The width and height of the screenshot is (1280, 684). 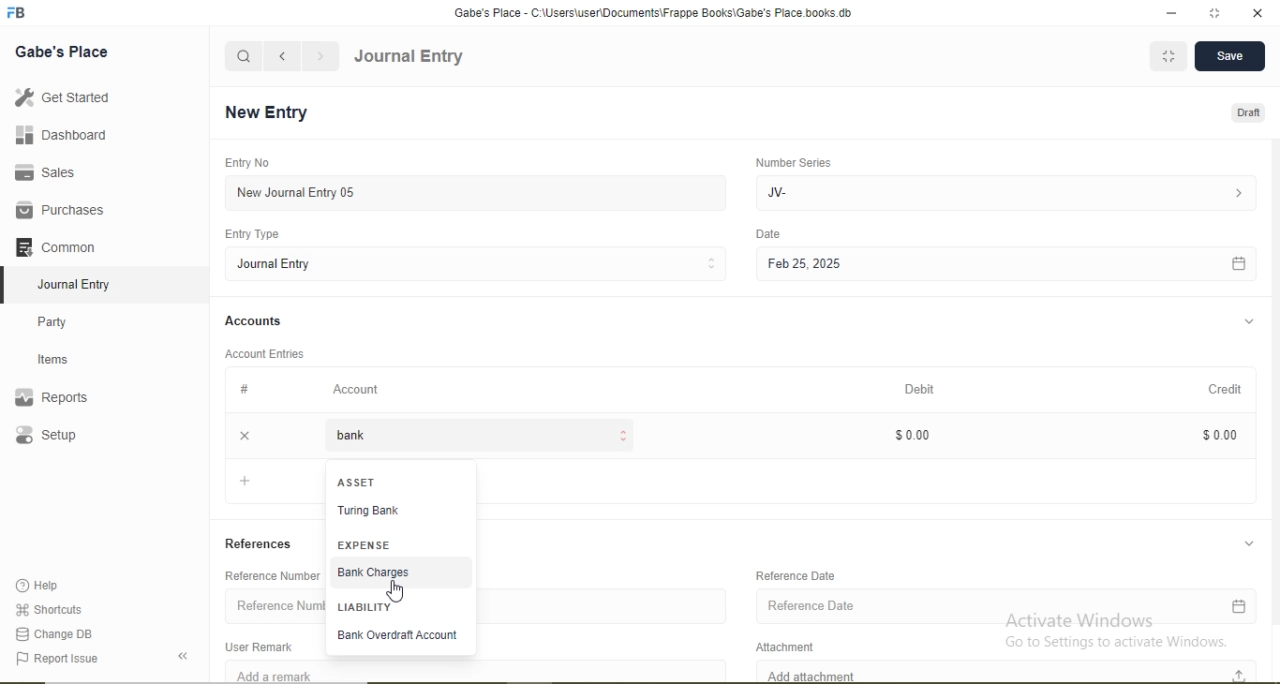 What do you see at coordinates (1238, 541) in the screenshot?
I see `collapse/expand` at bounding box center [1238, 541].